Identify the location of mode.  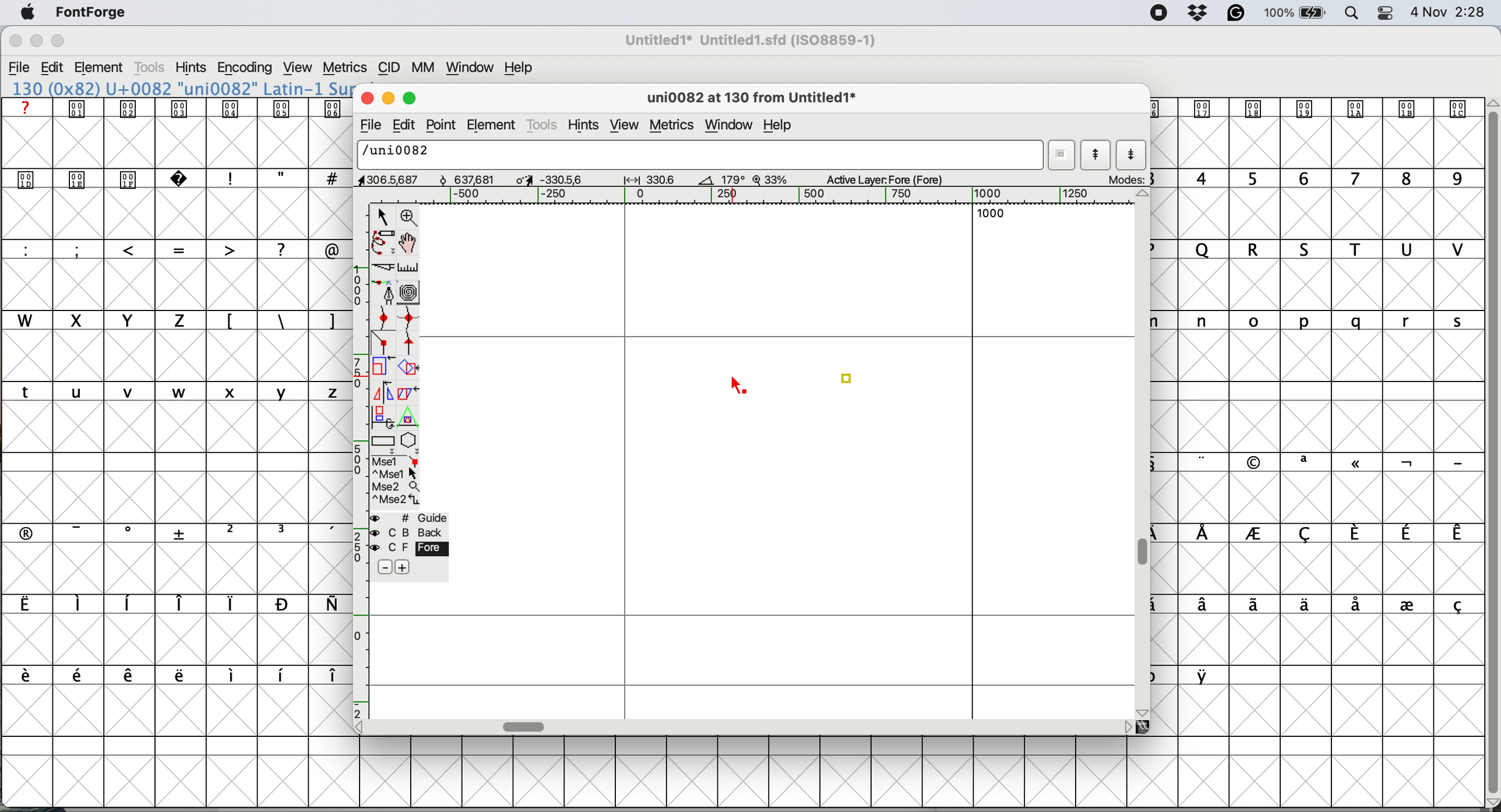
(1124, 179).